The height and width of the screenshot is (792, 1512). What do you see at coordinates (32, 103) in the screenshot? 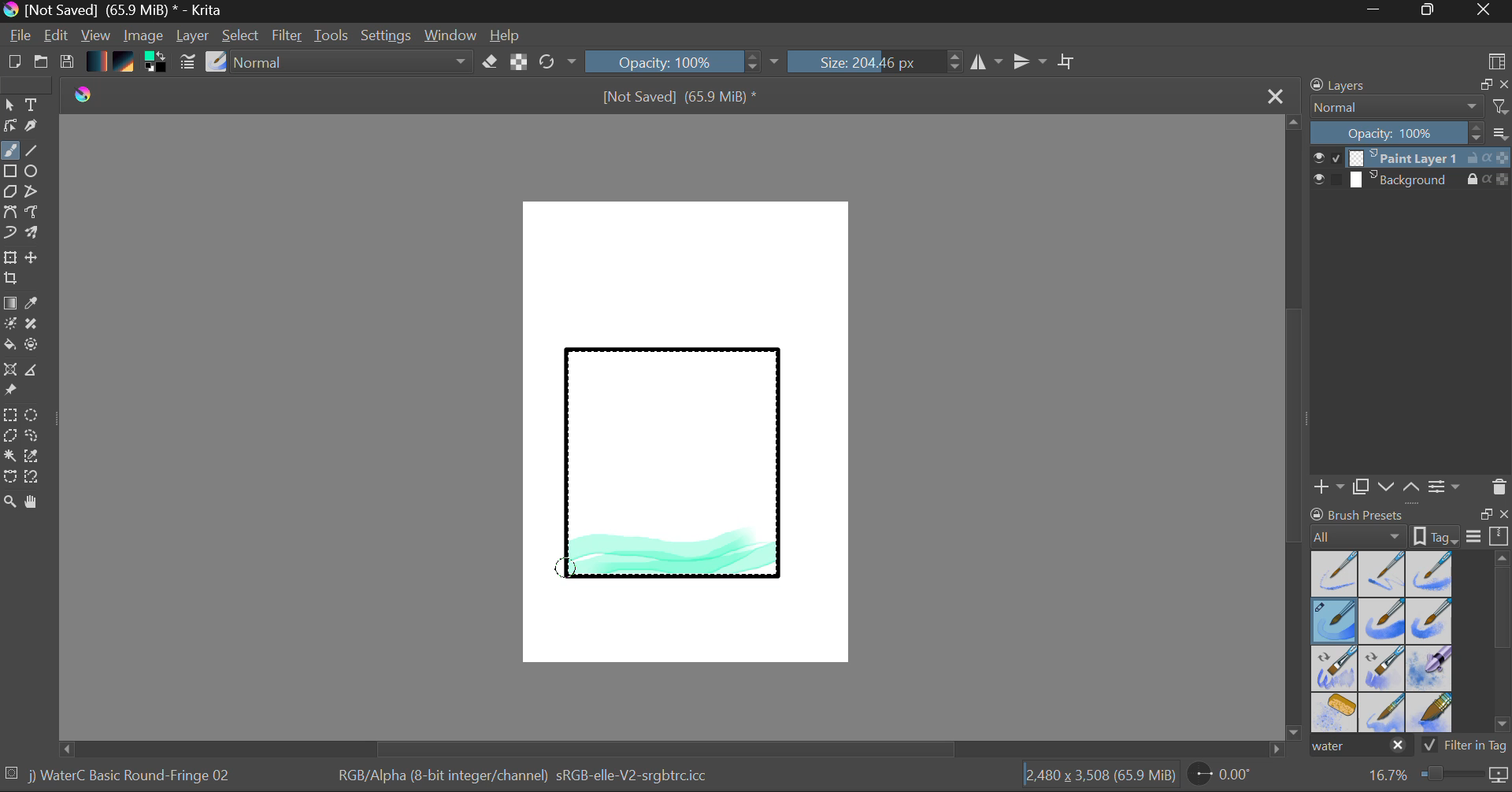
I see `Text` at bounding box center [32, 103].